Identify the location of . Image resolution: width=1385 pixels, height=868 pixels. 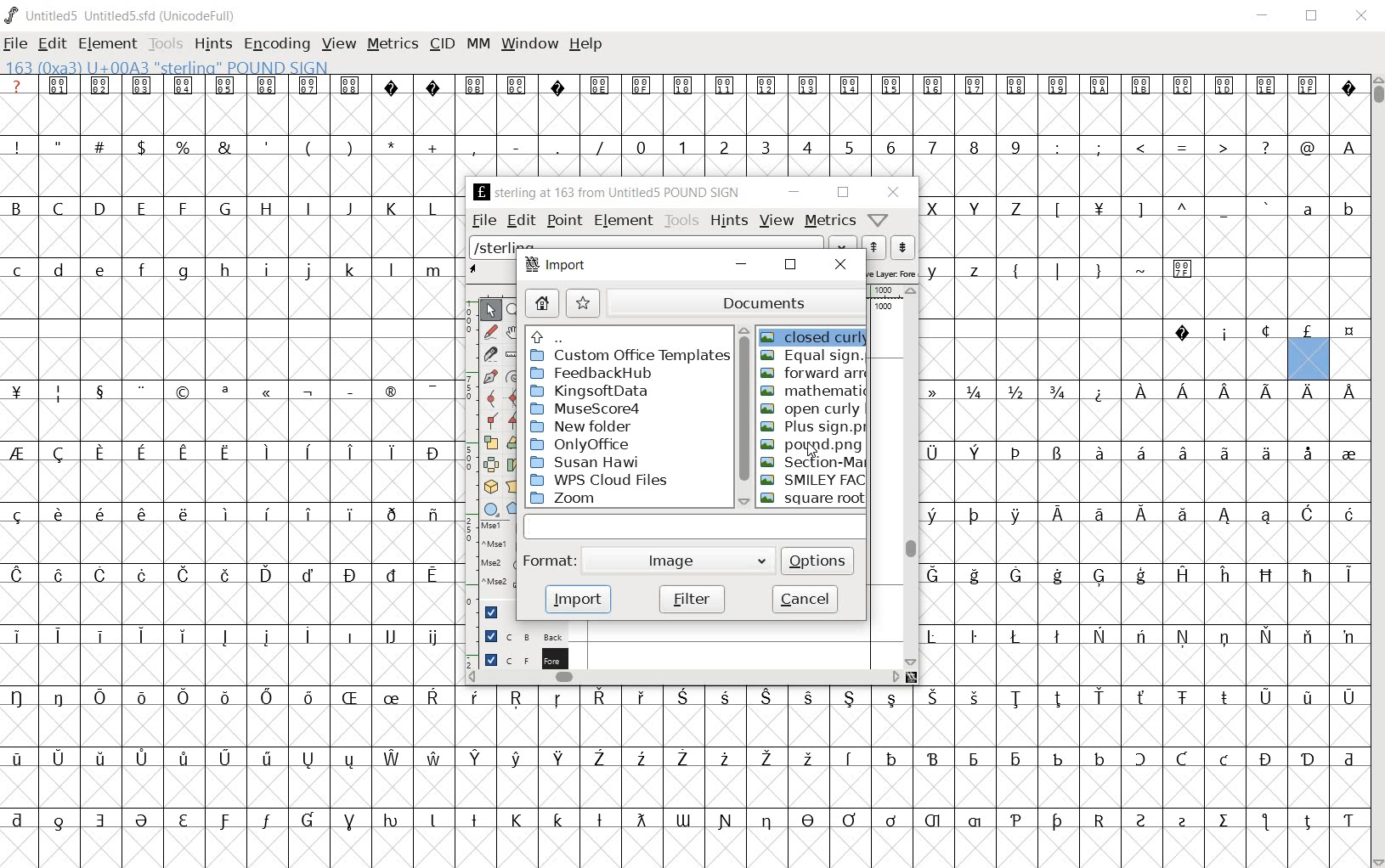
(100, 272).